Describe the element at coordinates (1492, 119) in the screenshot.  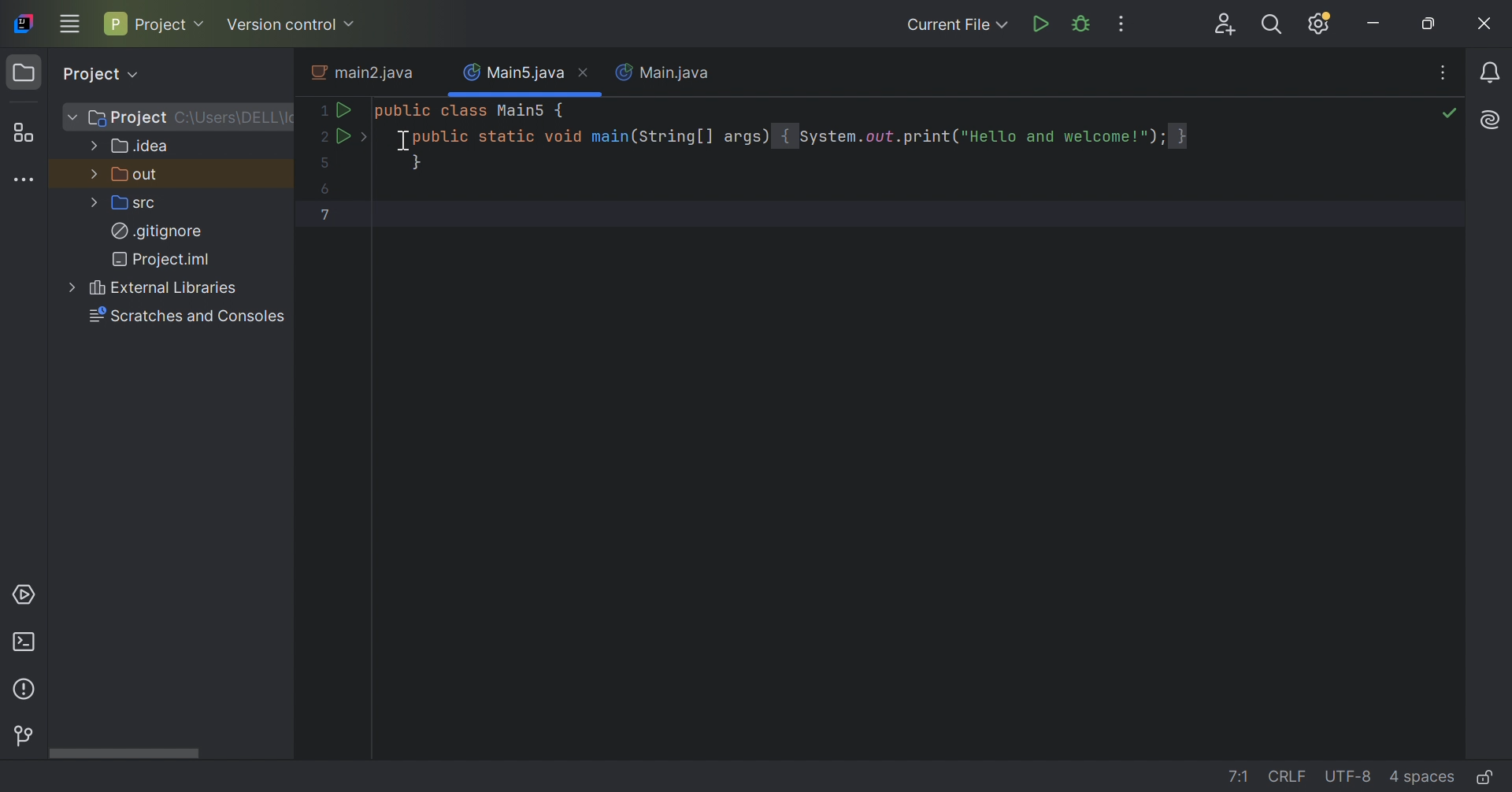
I see `AI Assistant` at that location.